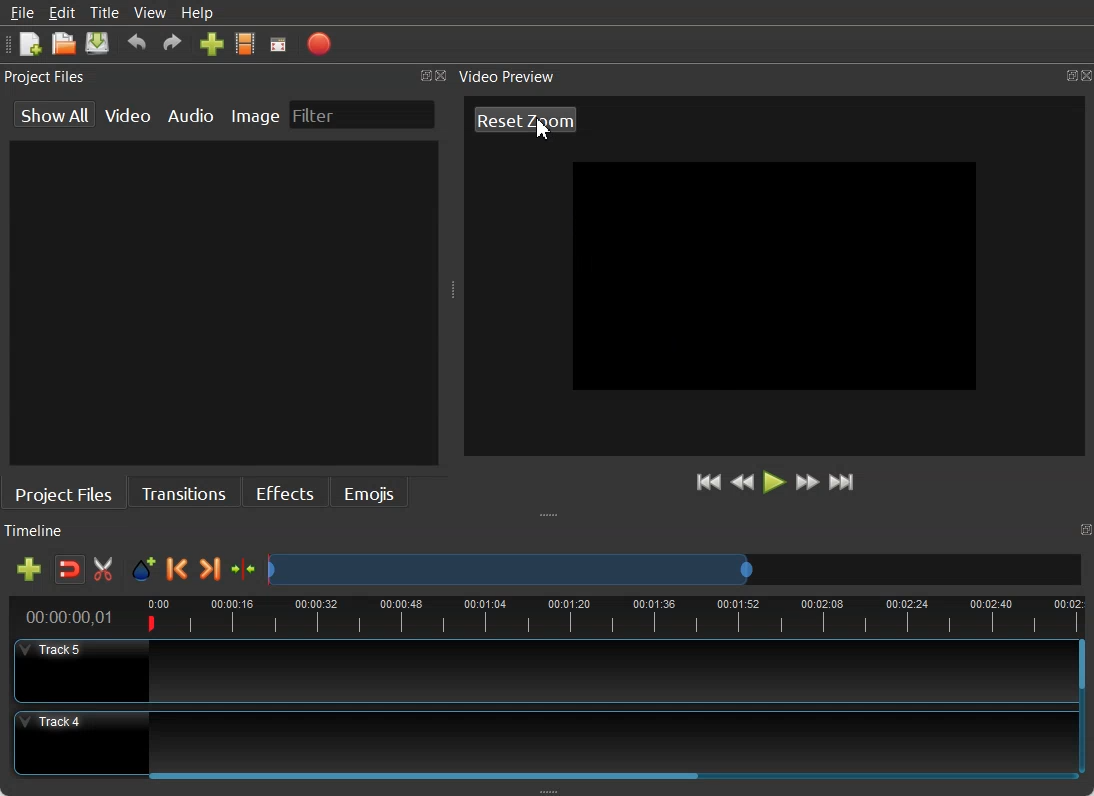  What do you see at coordinates (1086, 530) in the screenshot?
I see `Maximize` at bounding box center [1086, 530].